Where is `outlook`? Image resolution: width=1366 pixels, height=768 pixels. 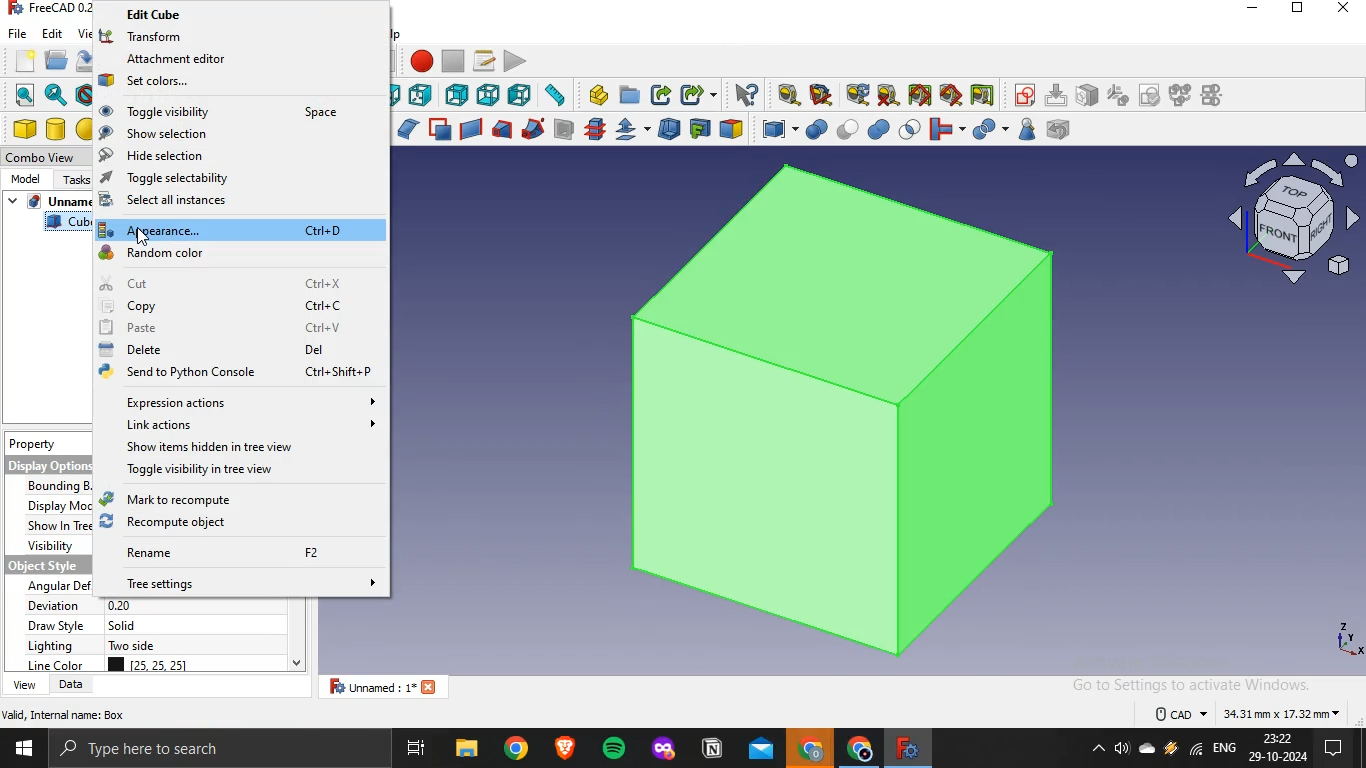 outlook is located at coordinates (762, 751).